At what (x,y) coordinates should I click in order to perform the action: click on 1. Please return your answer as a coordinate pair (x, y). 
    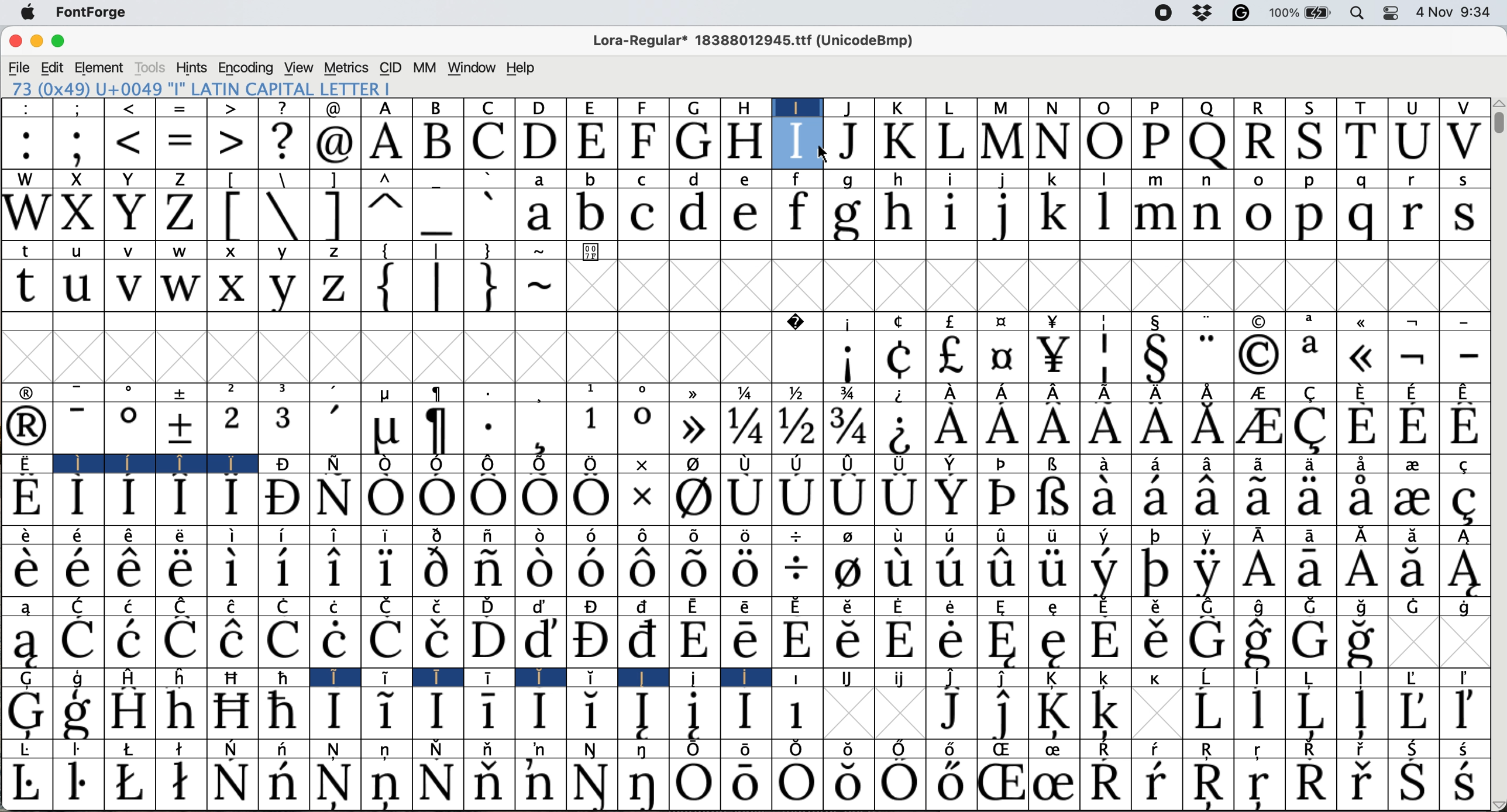
    Looking at the image, I should click on (591, 428).